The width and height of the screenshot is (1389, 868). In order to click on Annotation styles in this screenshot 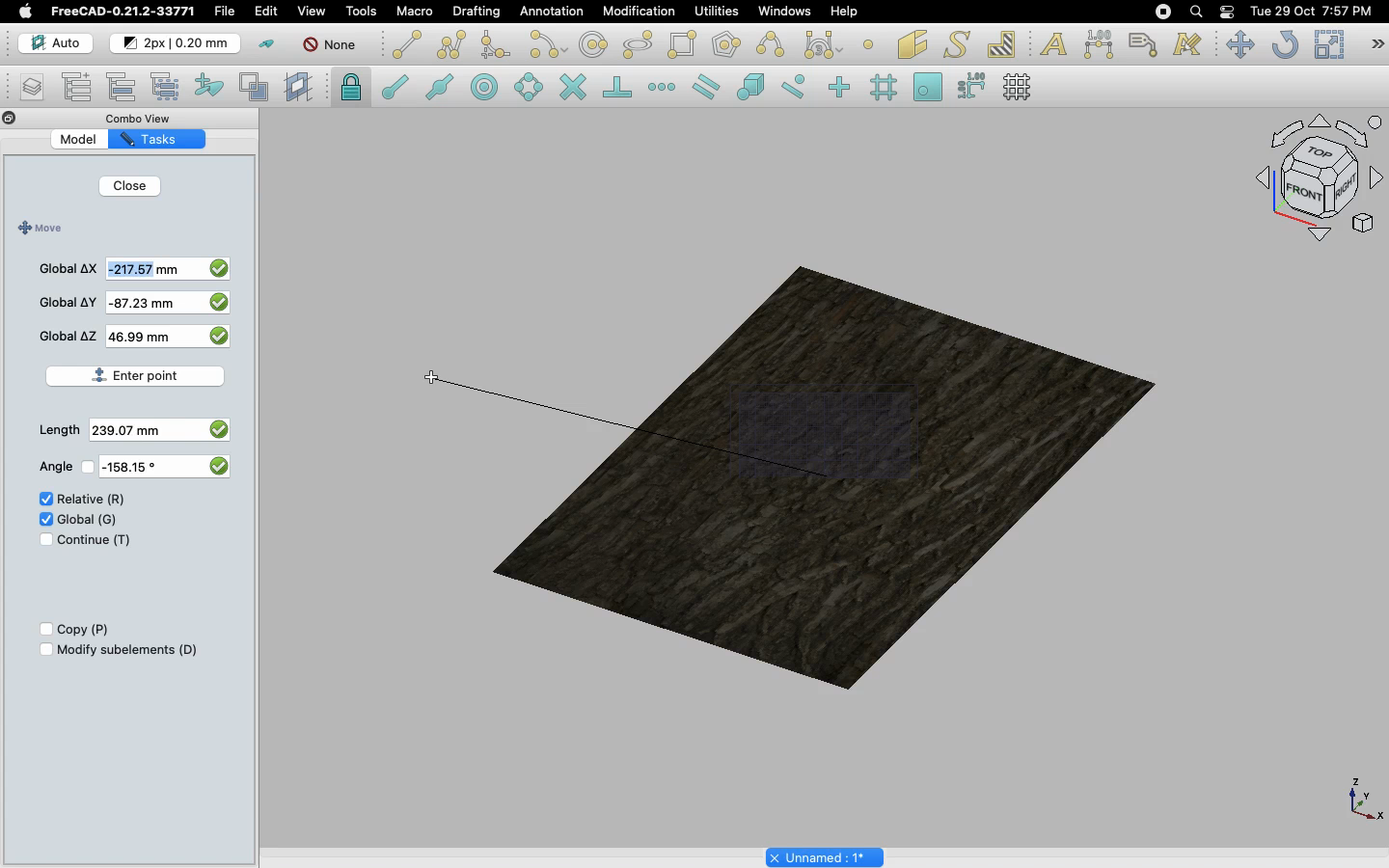, I will do `click(1188, 44)`.